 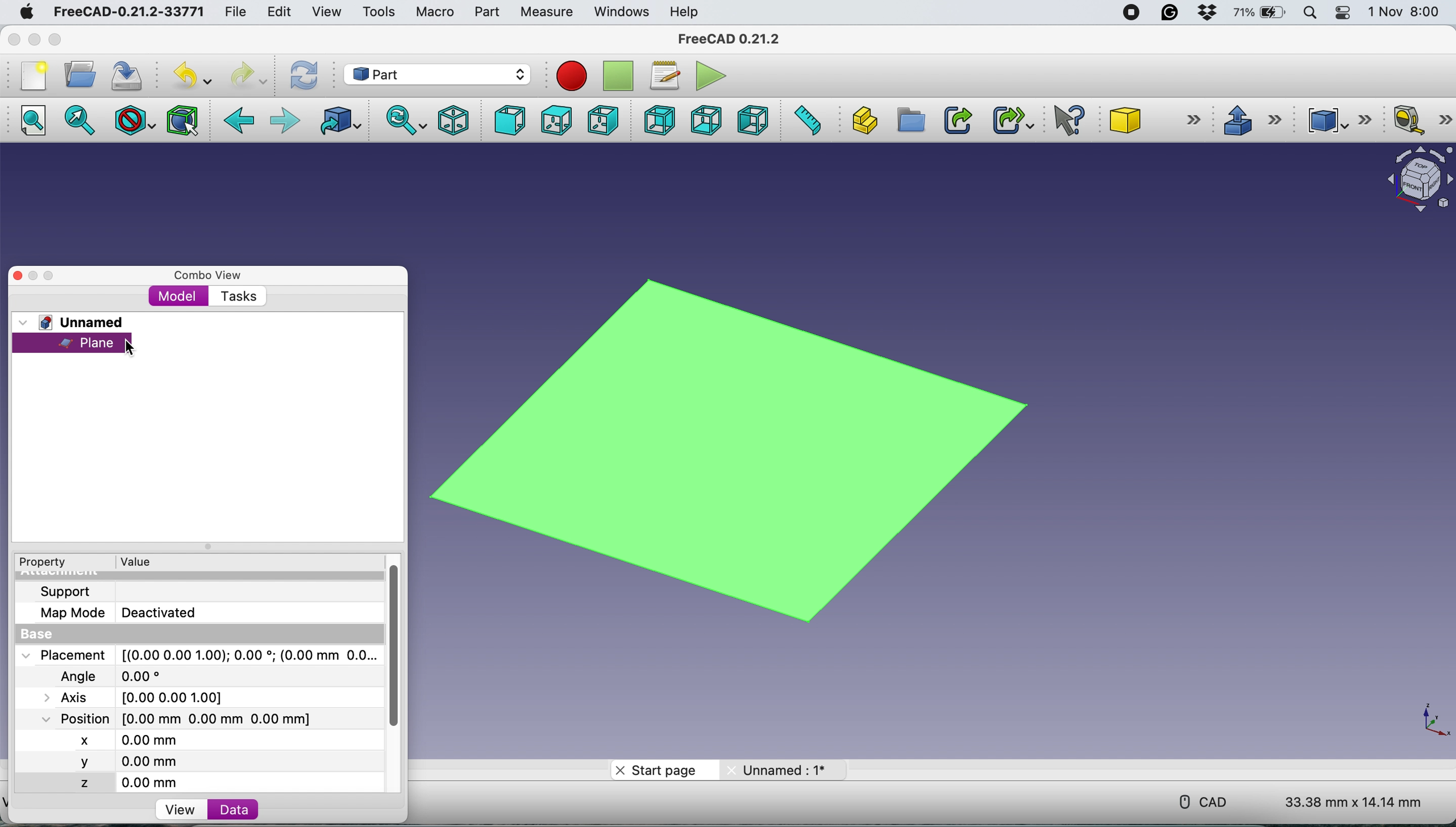 I want to click on top, so click(x=555, y=121).